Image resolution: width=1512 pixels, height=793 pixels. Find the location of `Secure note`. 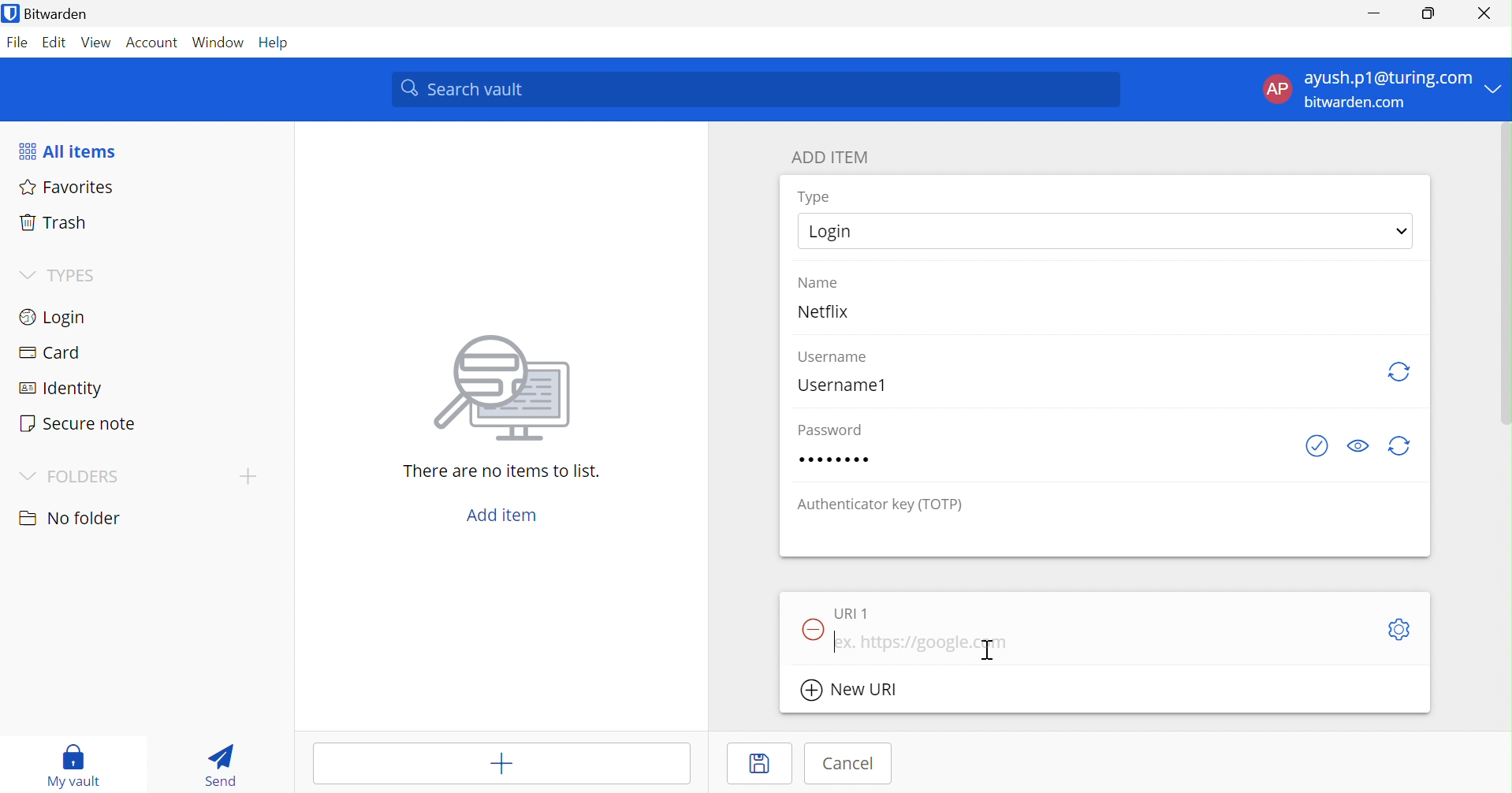

Secure note is located at coordinates (80, 422).